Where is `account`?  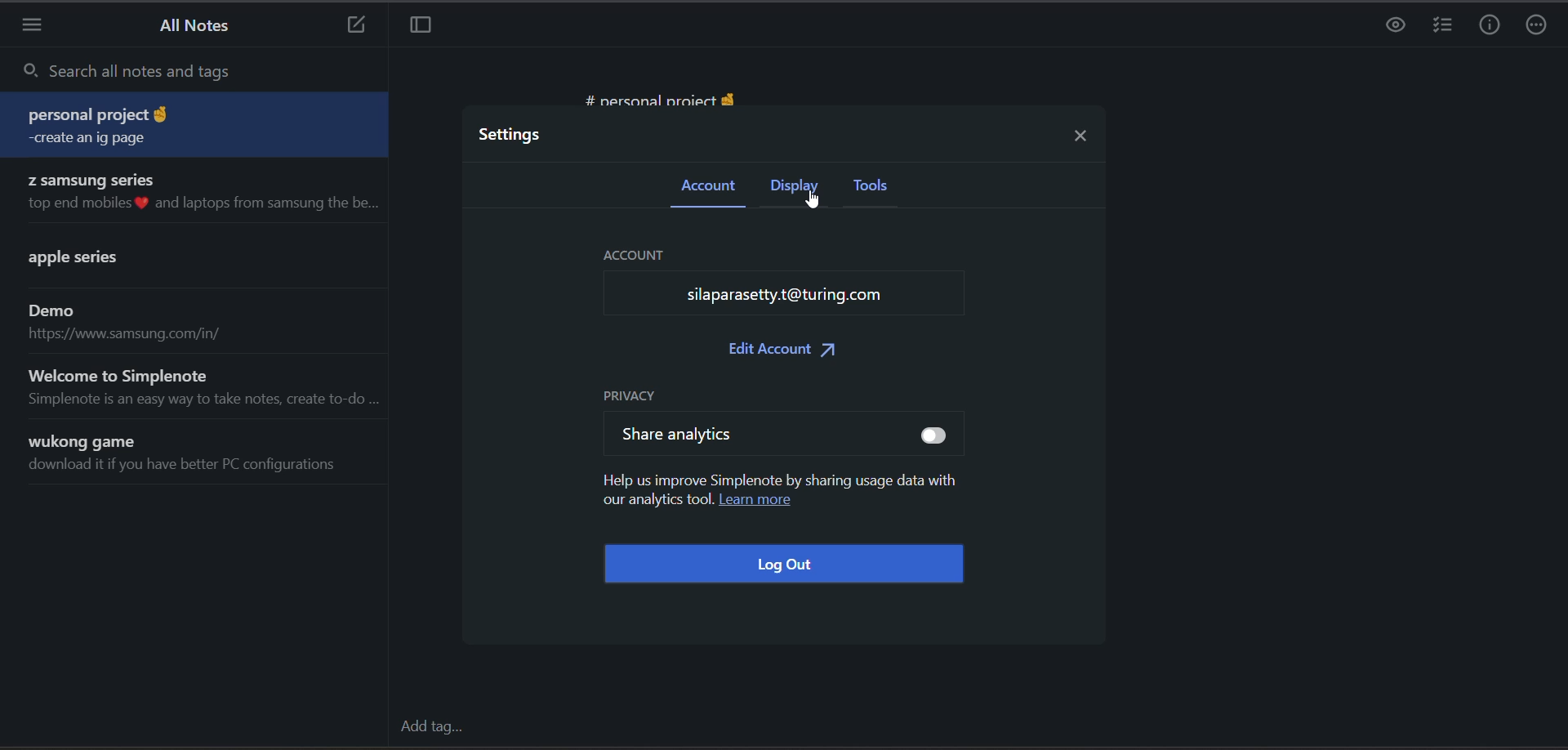 account is located at coordinates (711, 190).